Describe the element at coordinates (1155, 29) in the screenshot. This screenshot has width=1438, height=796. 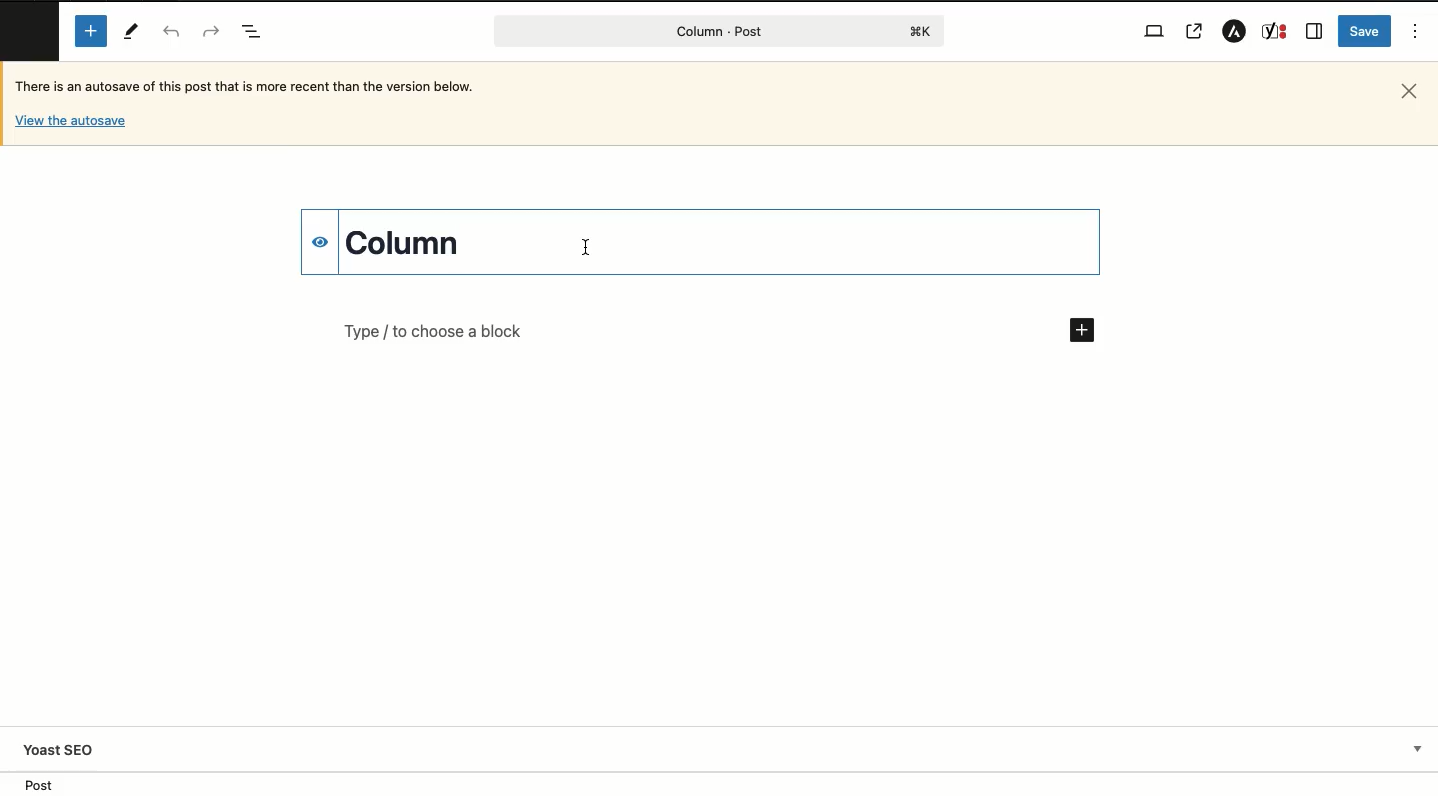
I see `View` at that location.